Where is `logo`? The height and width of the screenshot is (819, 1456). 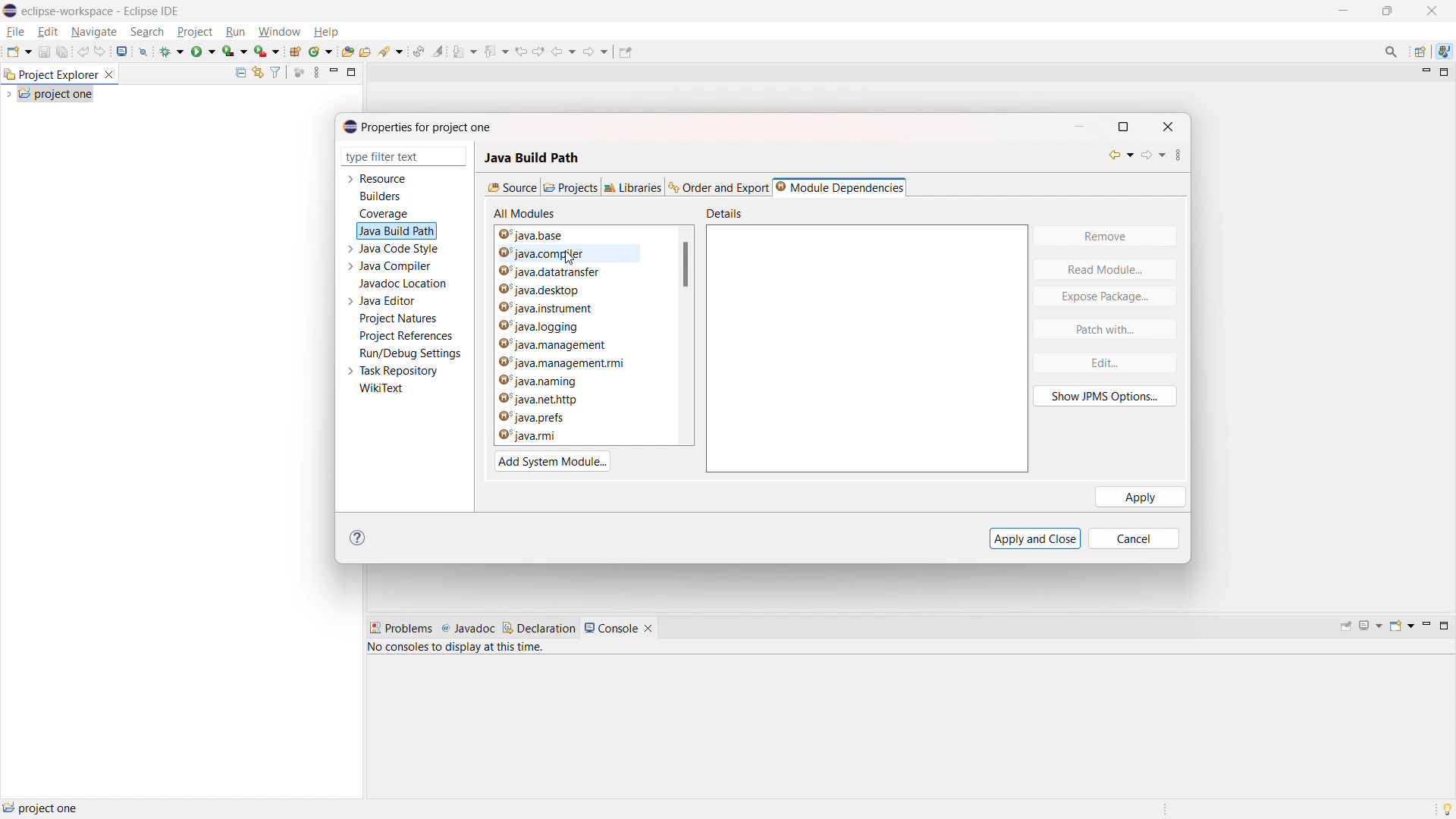 logo is located at coordinates (11, 11).